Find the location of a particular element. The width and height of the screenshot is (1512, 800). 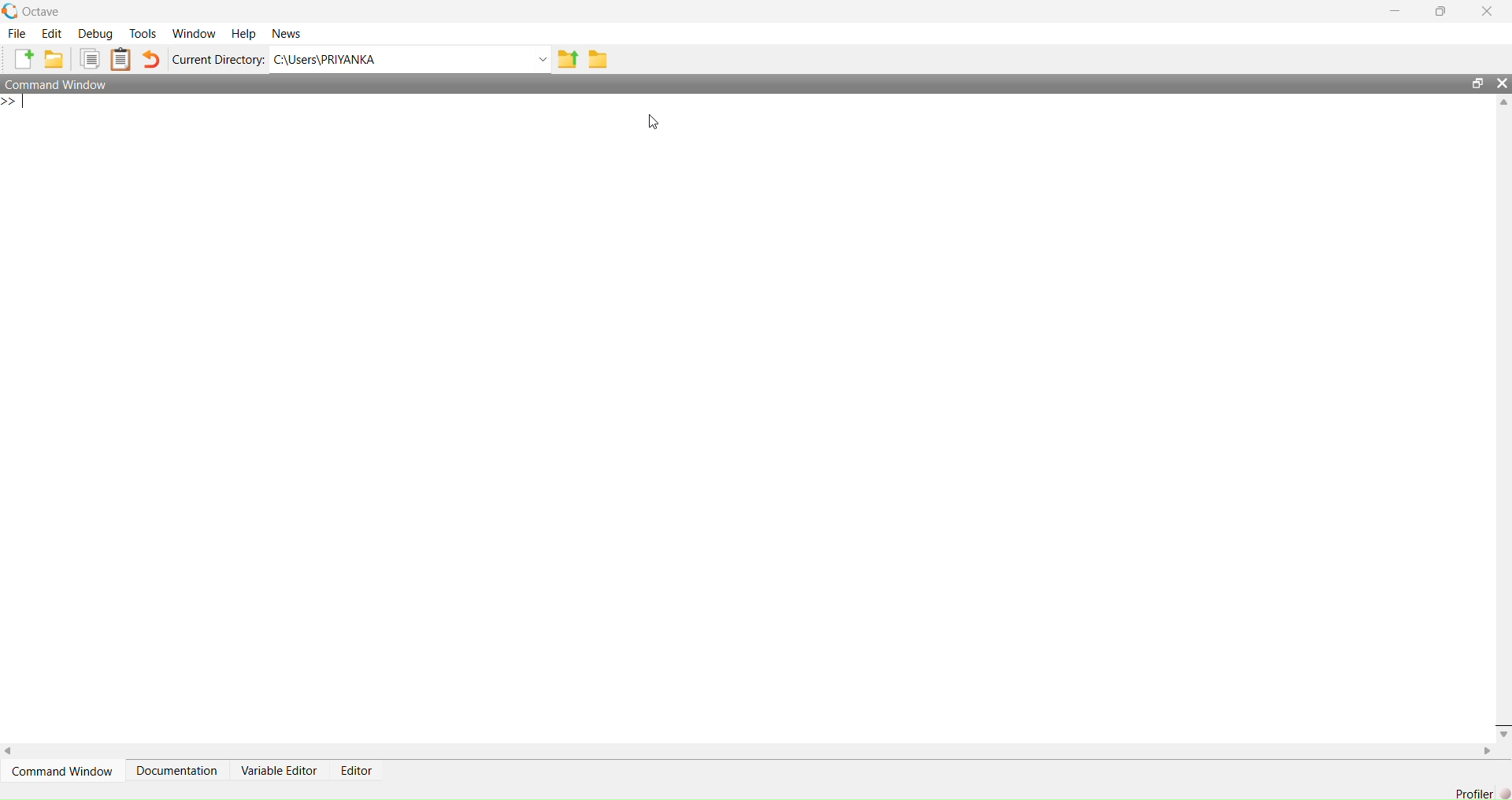

C:\Users\Priyanka is located at coordinates (410, 58).